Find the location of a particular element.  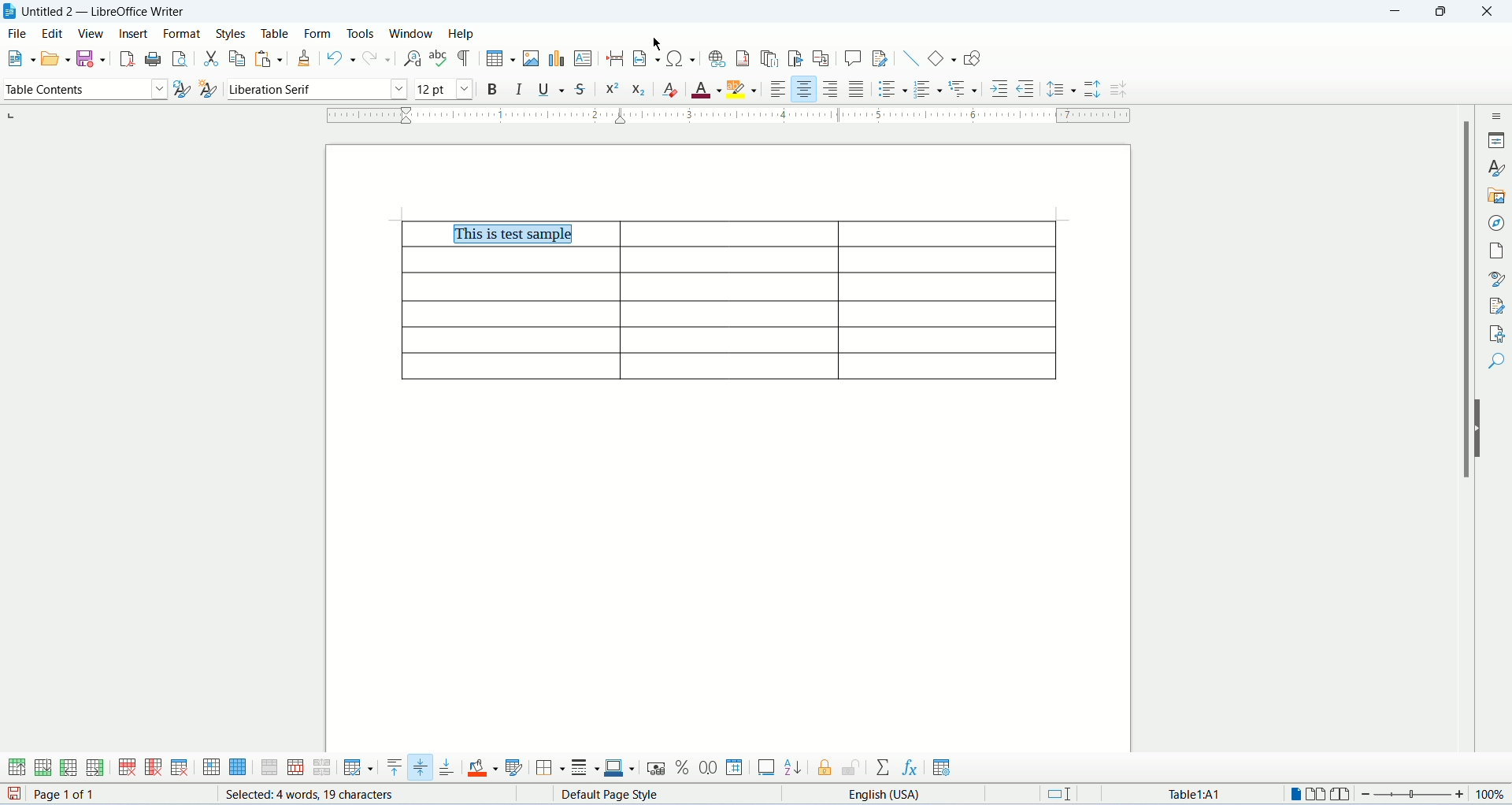

style inspector is located at coordinates (1498, 278).